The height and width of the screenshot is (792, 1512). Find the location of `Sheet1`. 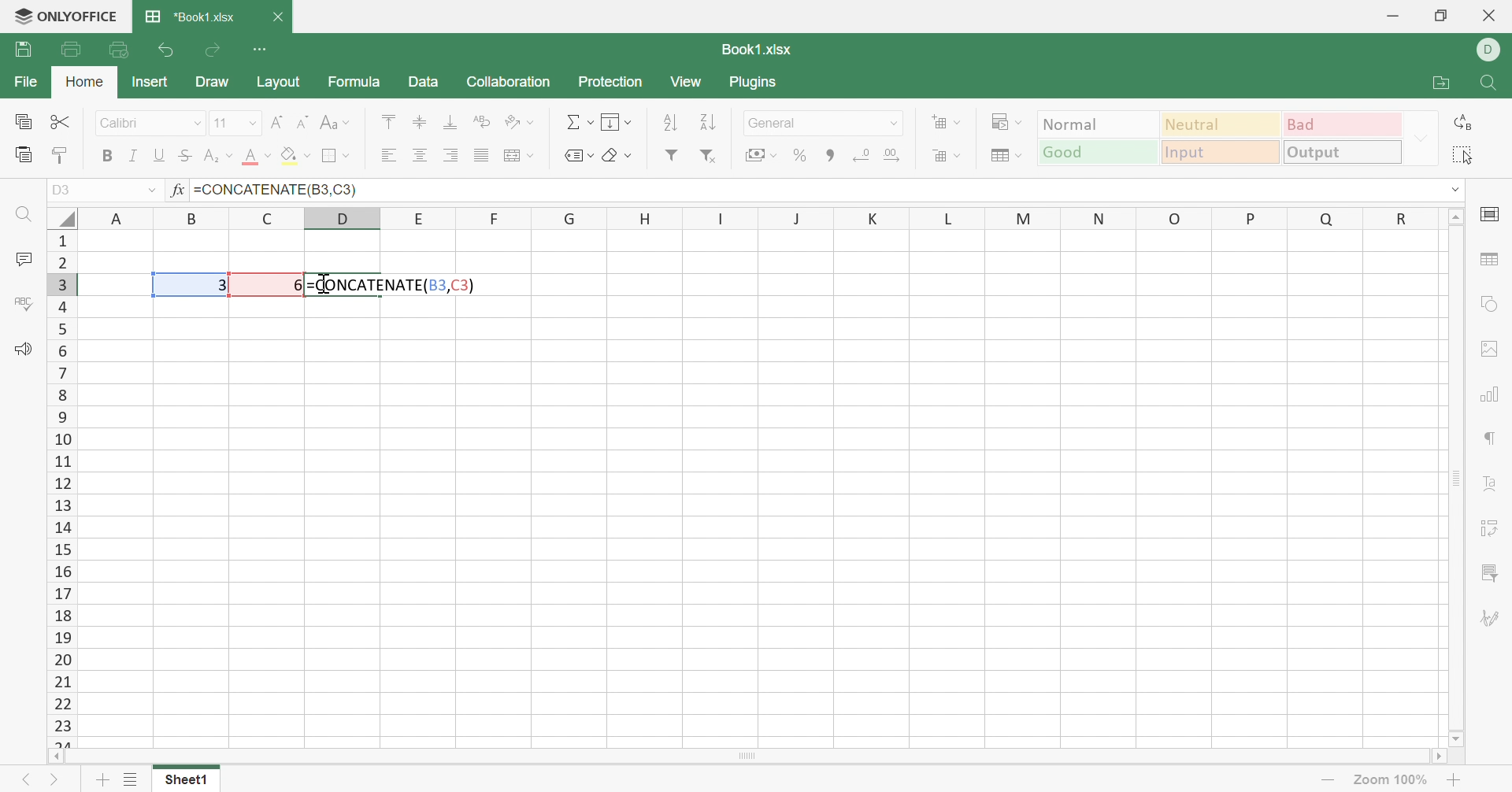

Sheet1 is located at coordinates (183, 782).